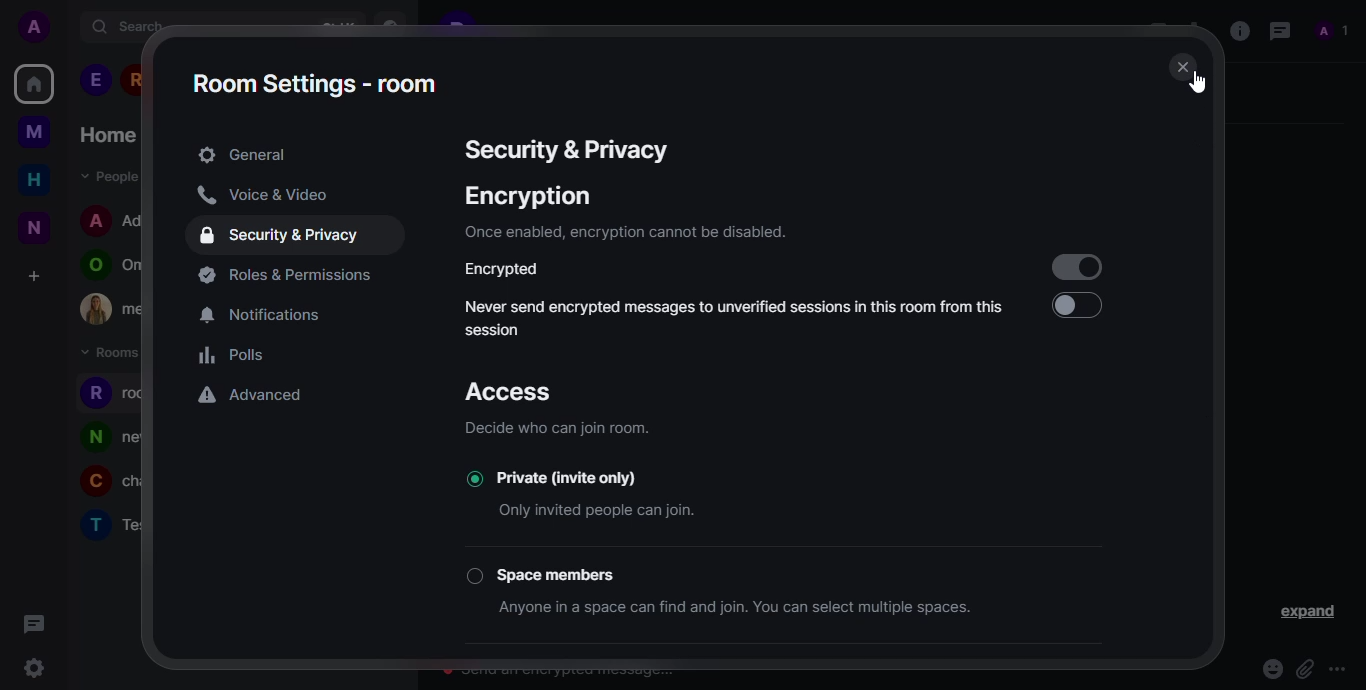 This screenshot has width=1366, height=690. I want to click on profile, so click(92, 484).